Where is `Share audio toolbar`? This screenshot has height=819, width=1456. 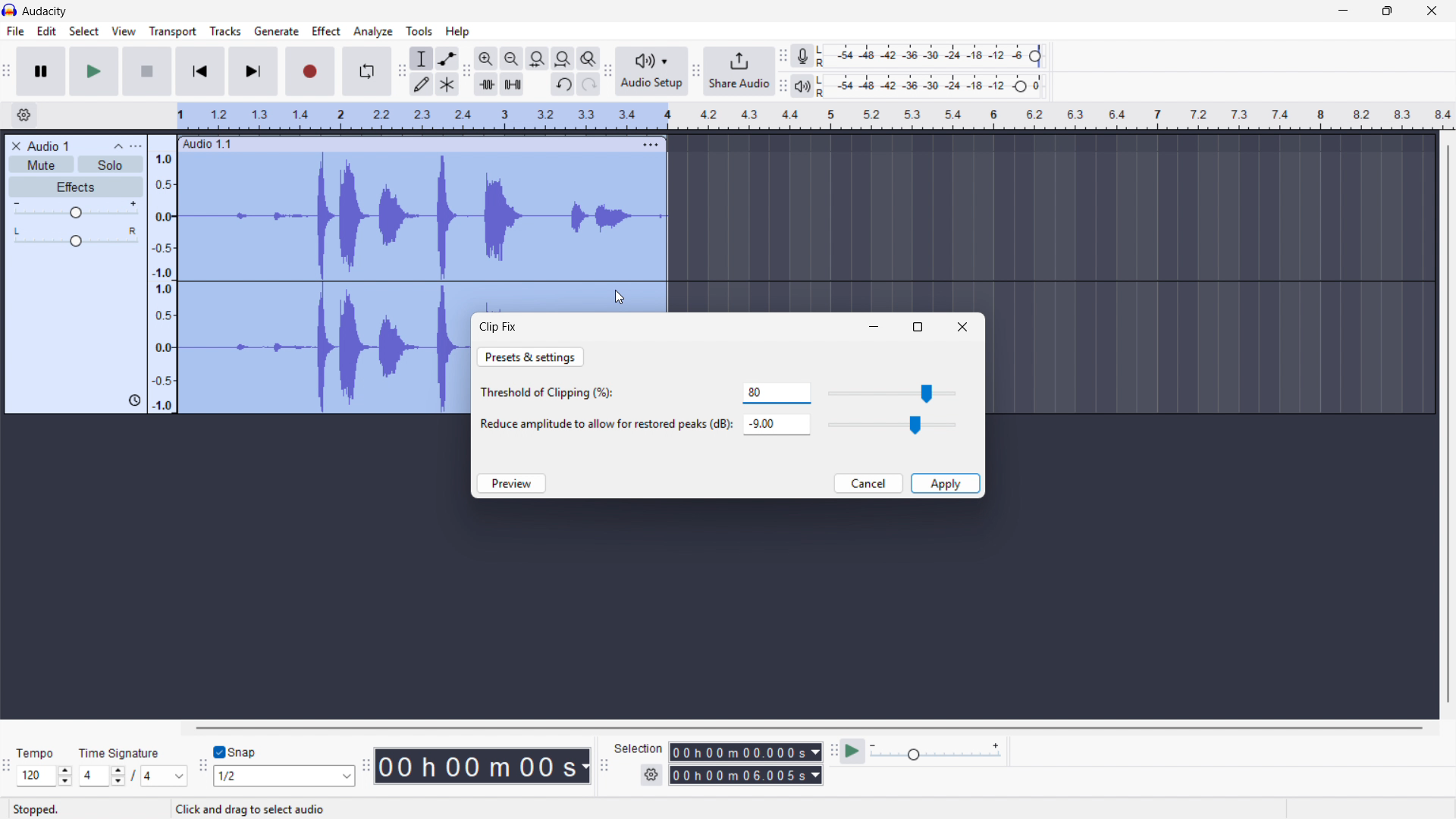 Share audio toolbar is located at coordinates (696, 71).